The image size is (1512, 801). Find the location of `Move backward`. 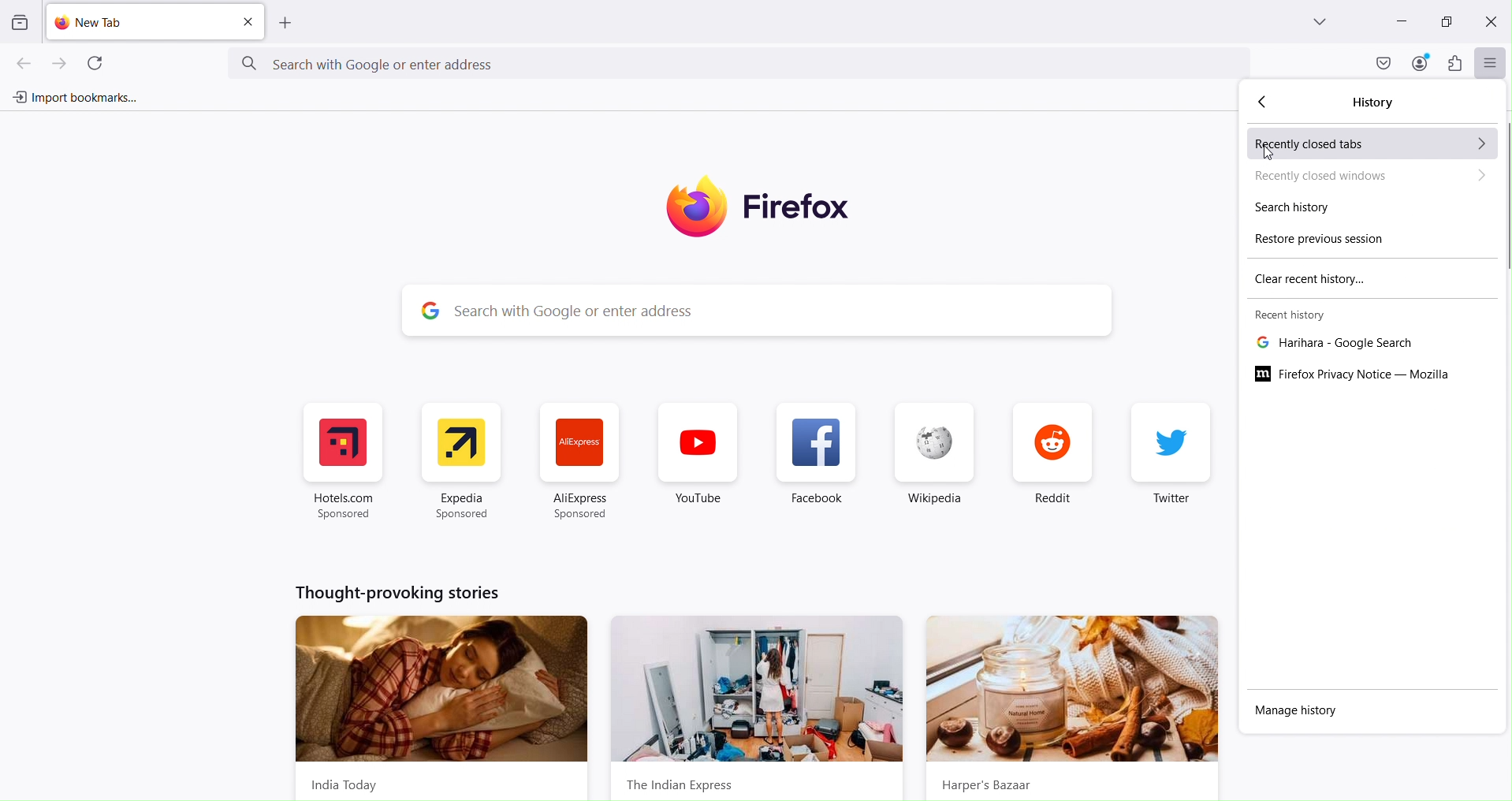

Move backward is located at coordinates (1264, 102).